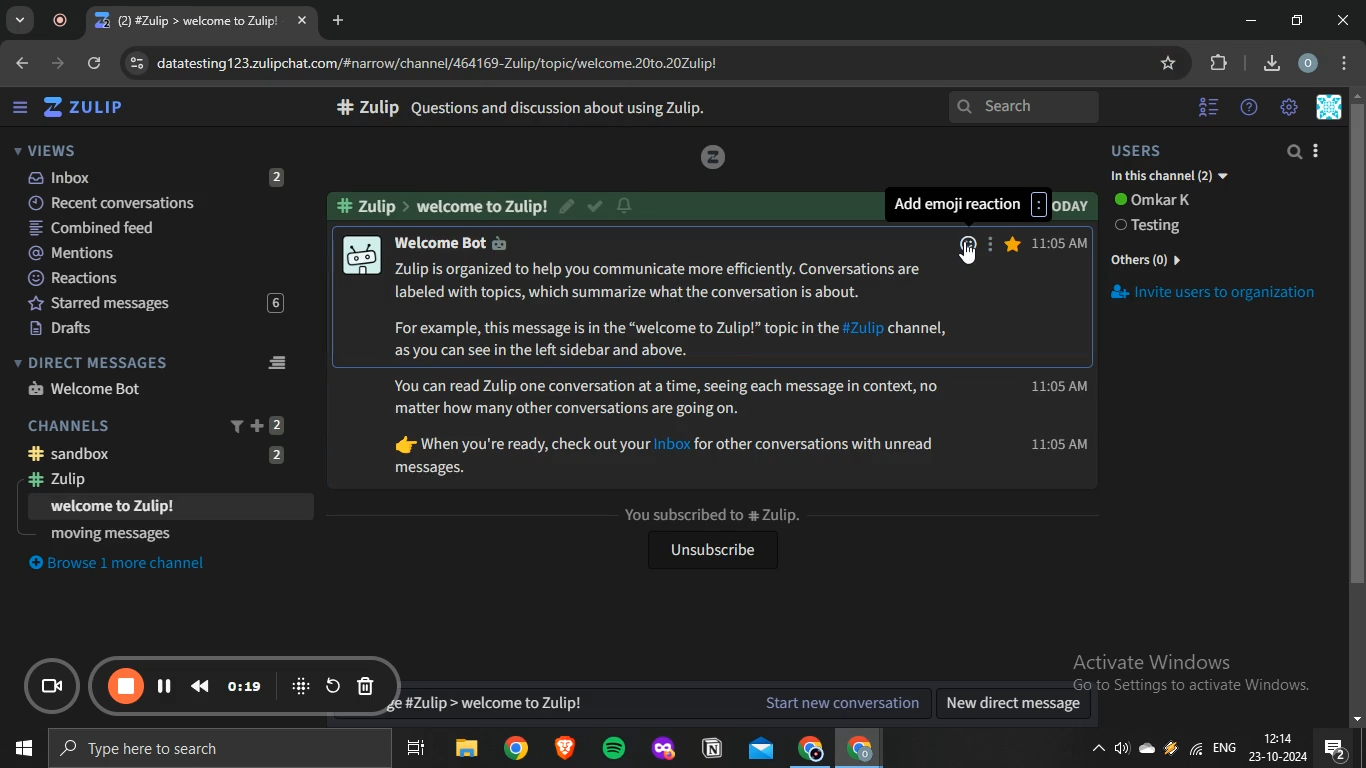  Describe the element at coordinates (669, 430) in the screenshot. I see `zulip and channel descriptions ` at that location.